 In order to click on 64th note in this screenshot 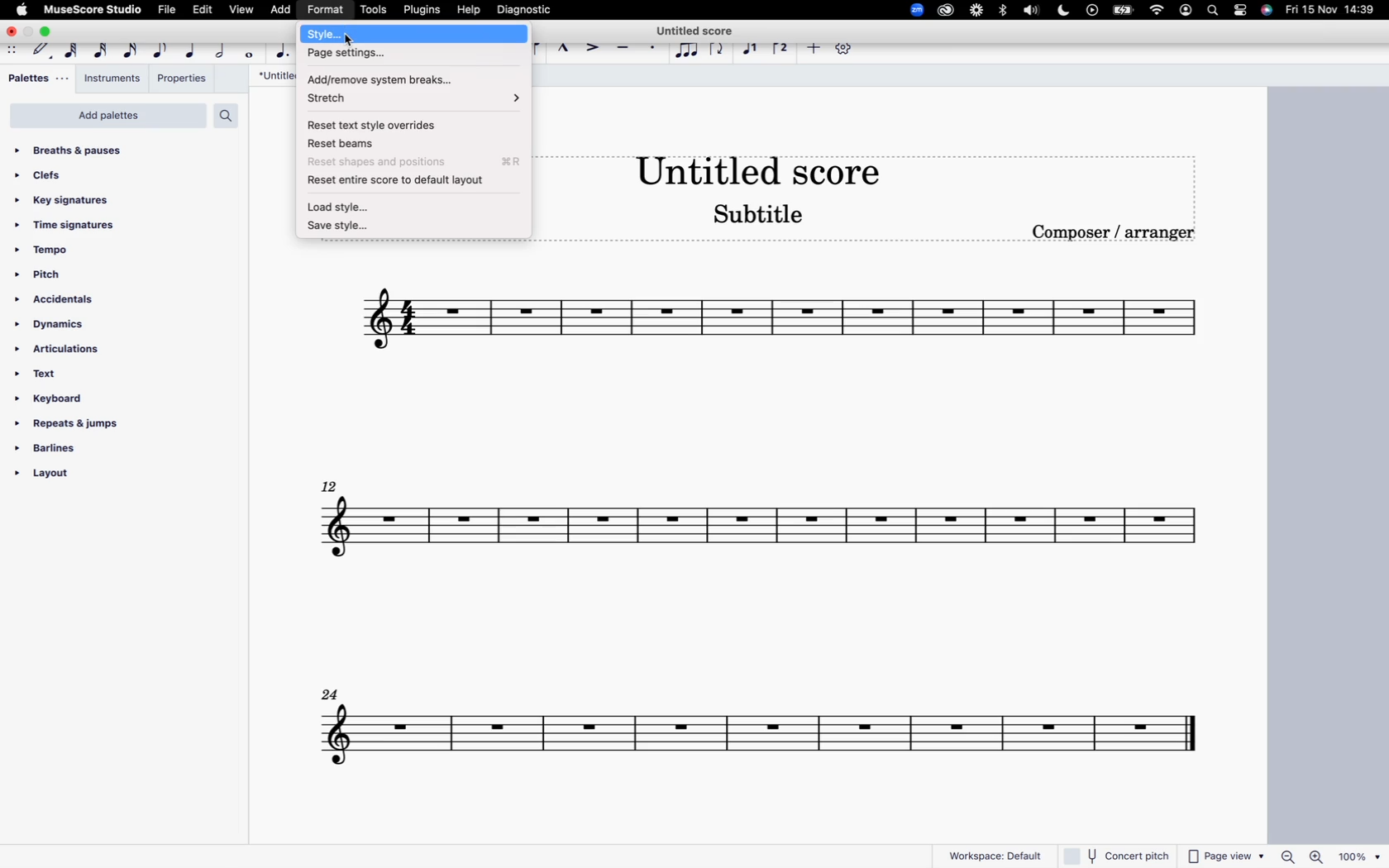, I will do `click(70, 51)`.